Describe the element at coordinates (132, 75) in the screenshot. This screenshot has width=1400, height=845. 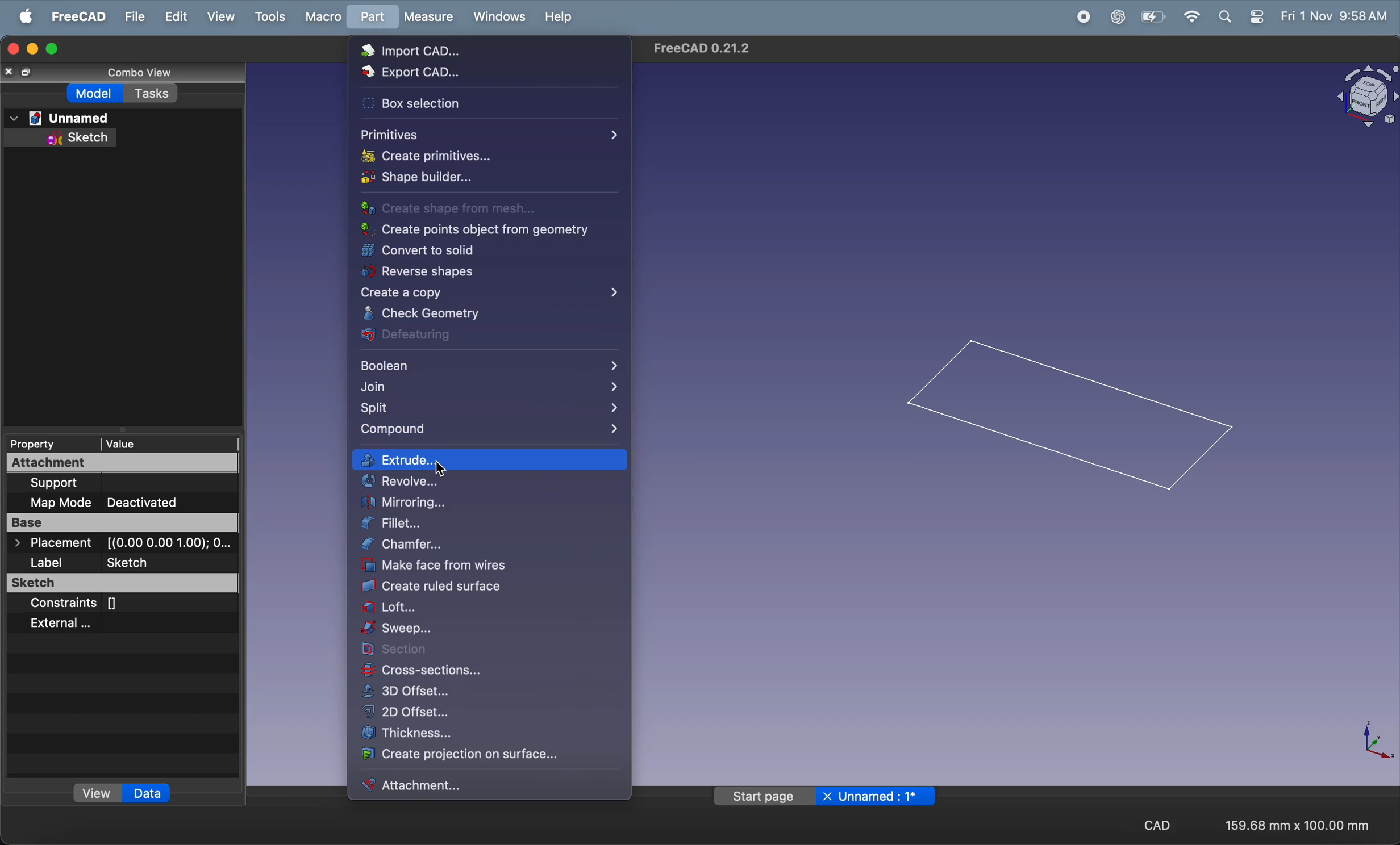
I see `combo view` at that location.